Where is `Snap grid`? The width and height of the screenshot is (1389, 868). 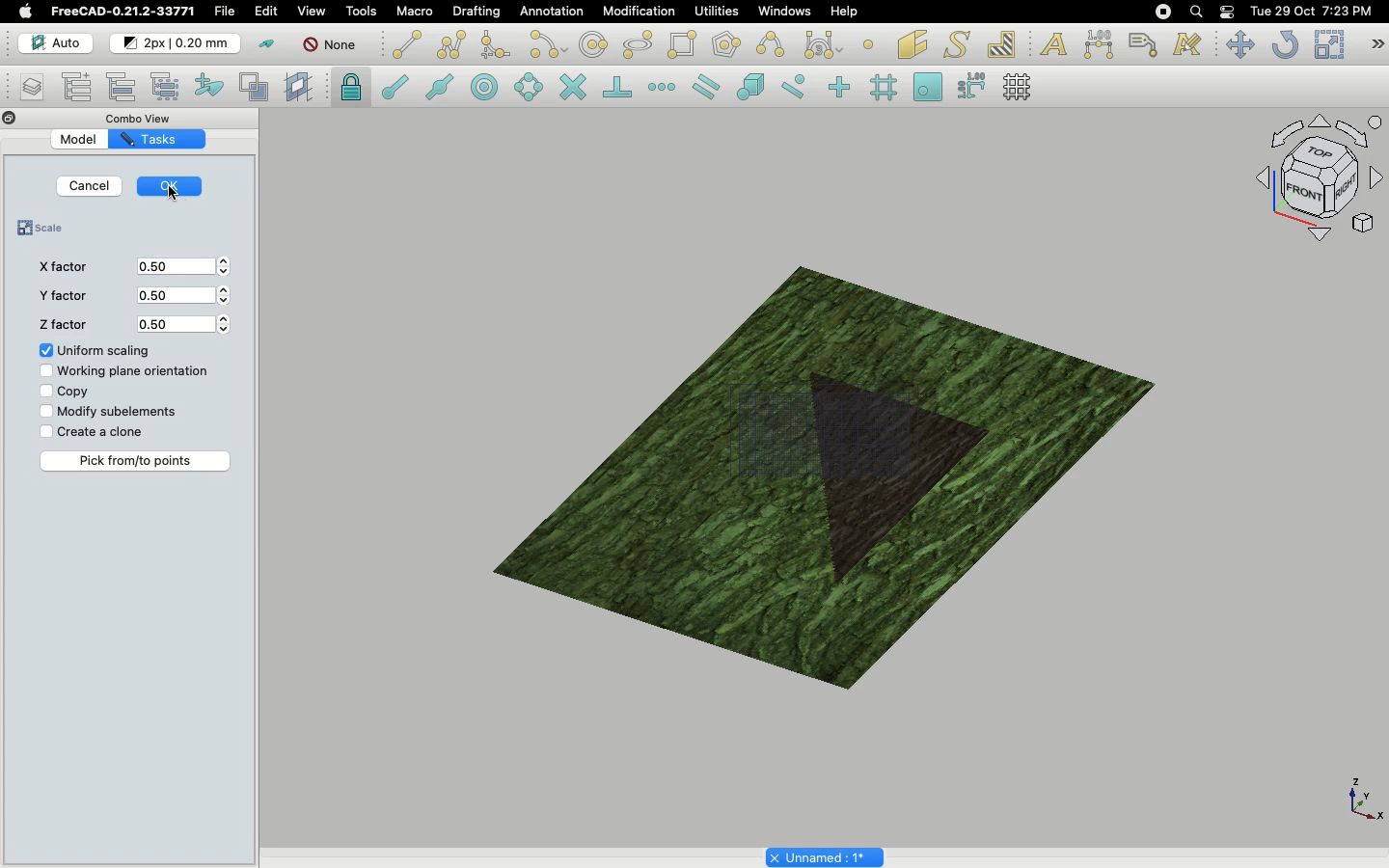
Snap grid is located at coordinates (885, 87).